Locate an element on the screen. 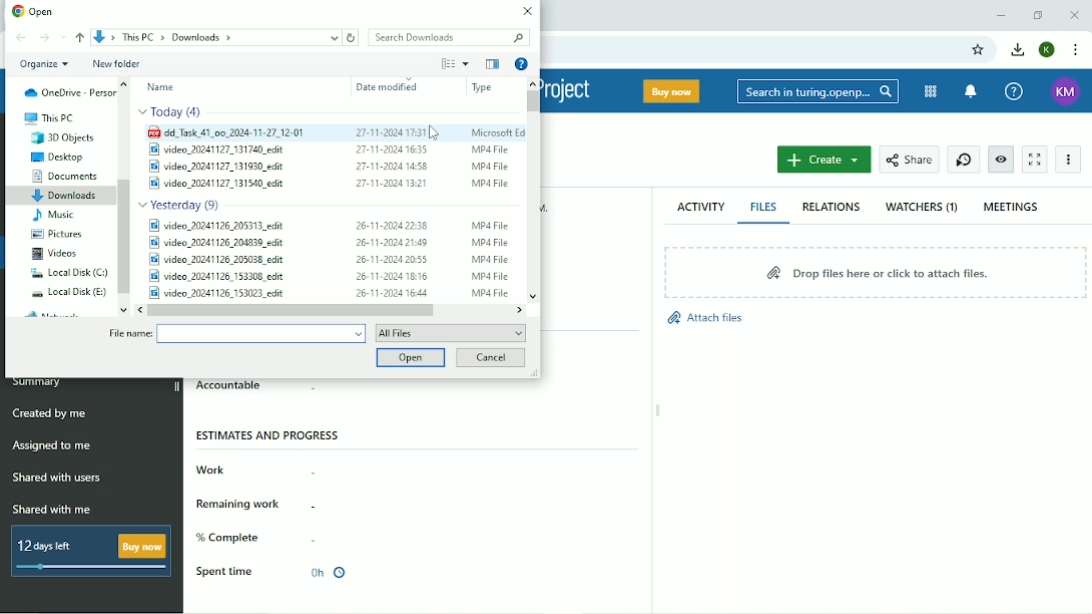 Image resolution: width=1092 pixels, height=614 pixels. Up to "This PC" is located at coordinates (81, 38).